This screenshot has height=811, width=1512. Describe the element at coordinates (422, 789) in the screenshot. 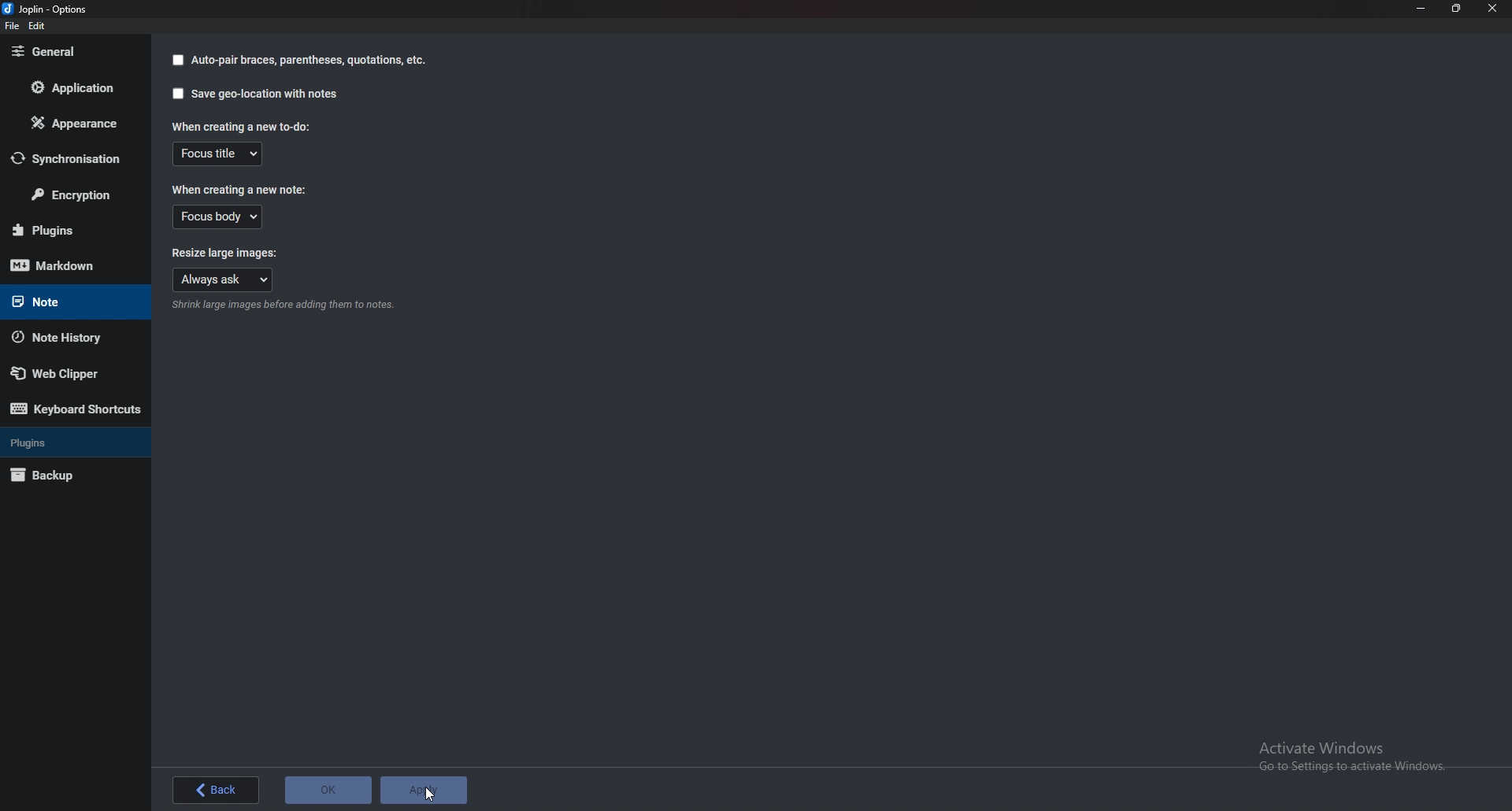

I see `Apply` at that location.